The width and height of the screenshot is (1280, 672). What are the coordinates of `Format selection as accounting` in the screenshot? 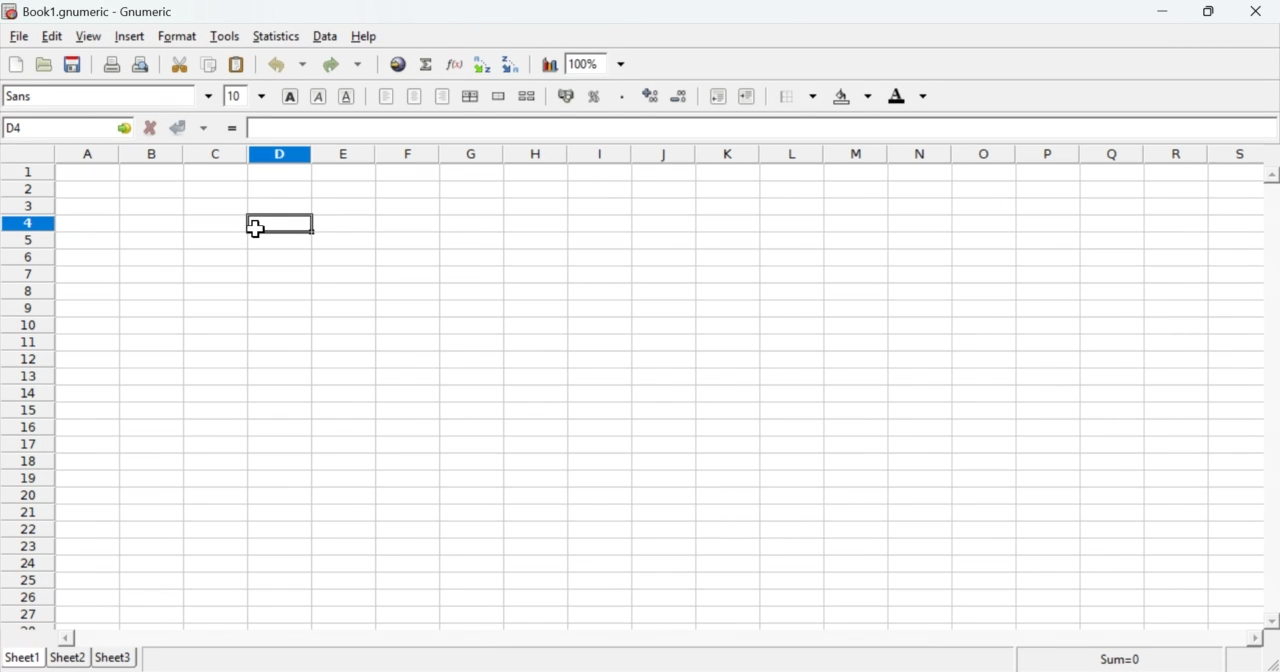 It's located at (565, 96).